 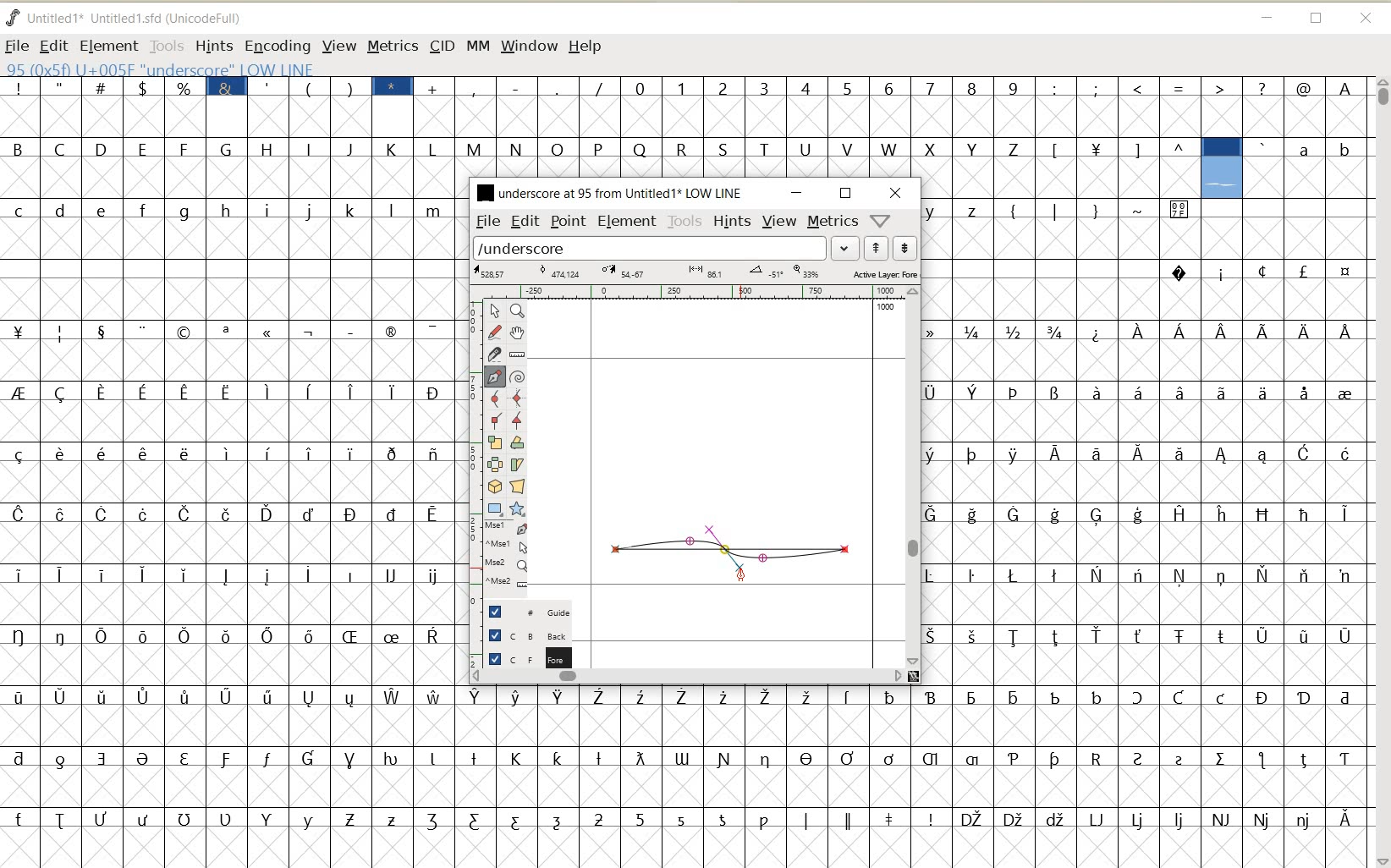 What do you see at coordinates (879, 221) in the screenshot?
I see `help/window` at bounding box center [879, 221].